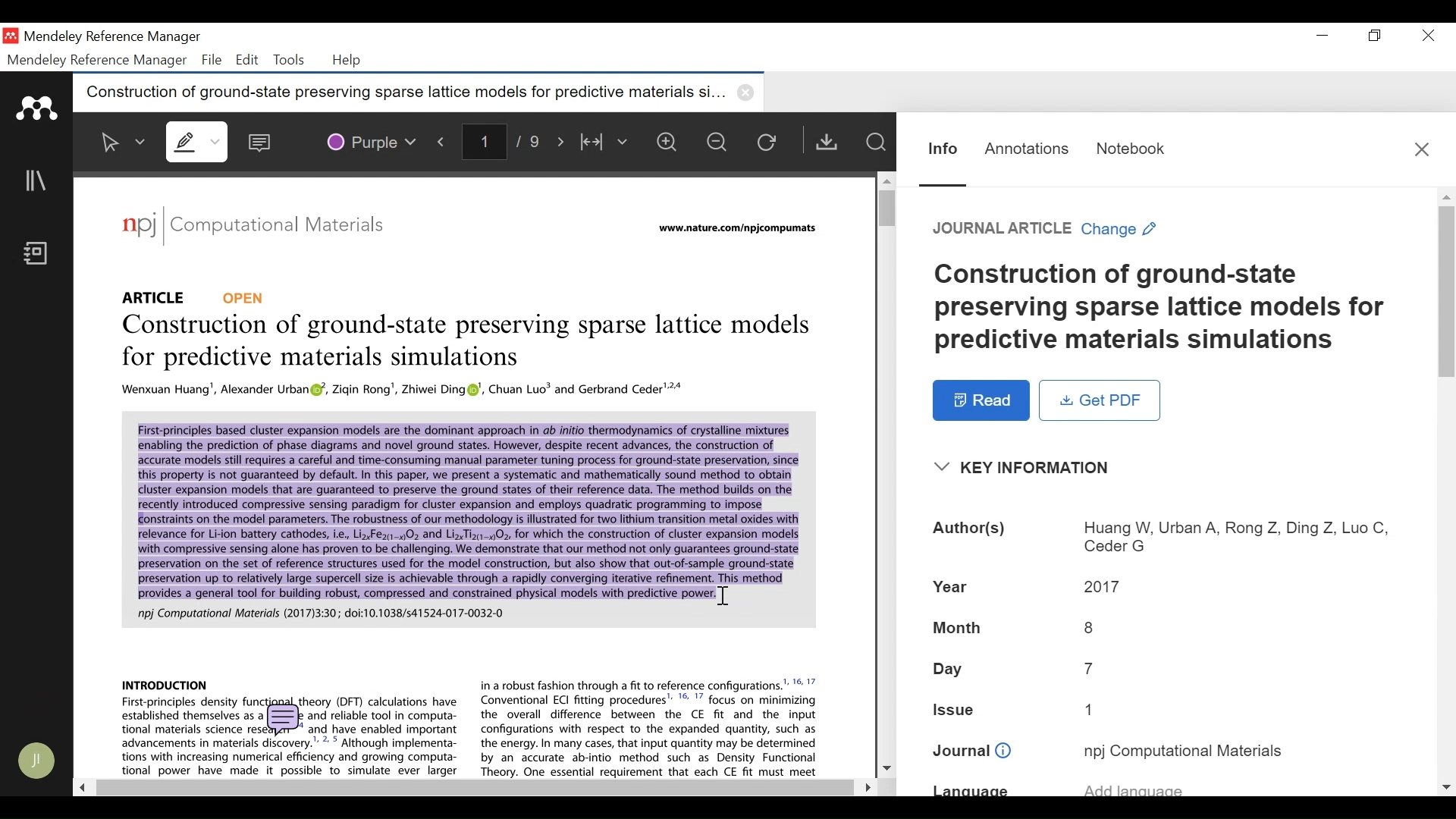  I want to click on Mendeley Reference Manager, so click(111, 39).